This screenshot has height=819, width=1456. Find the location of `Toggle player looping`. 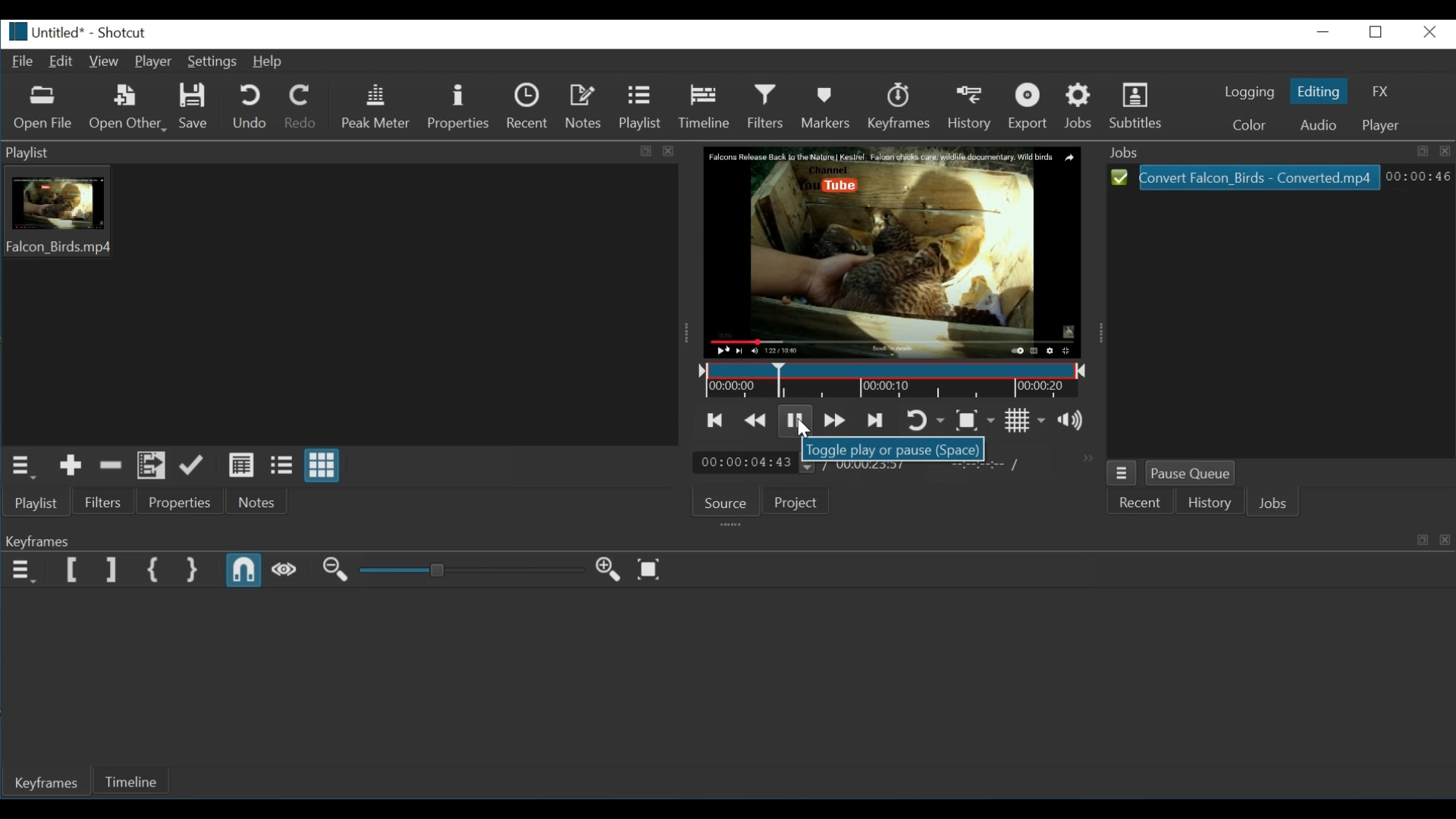

Toggle player looping is located at coordinates (922, 419).